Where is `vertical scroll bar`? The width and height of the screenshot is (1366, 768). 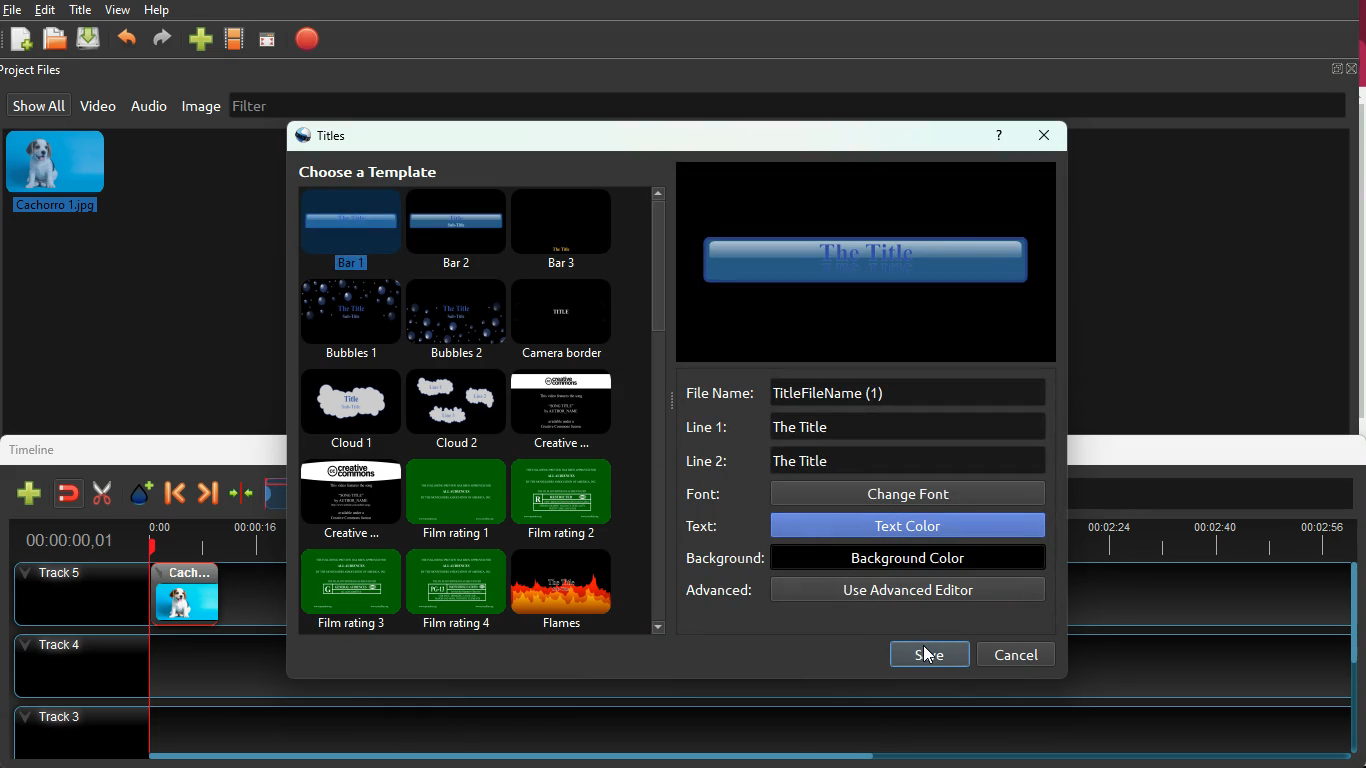
vertical scroll bar is located at coordinates (1357, 611).